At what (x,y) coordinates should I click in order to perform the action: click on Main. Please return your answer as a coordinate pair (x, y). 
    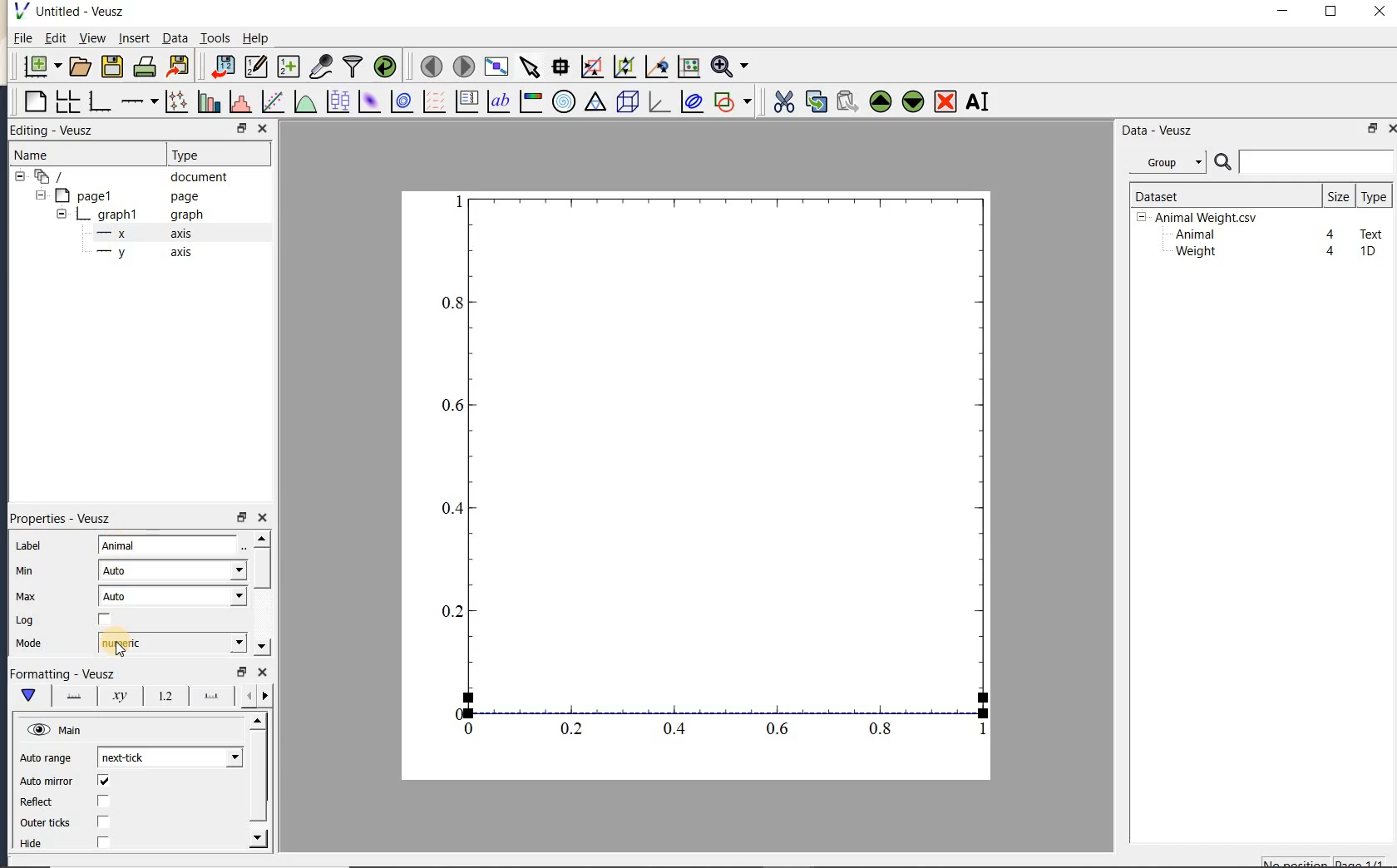
    Looking at the image, I should click on (57, 731).